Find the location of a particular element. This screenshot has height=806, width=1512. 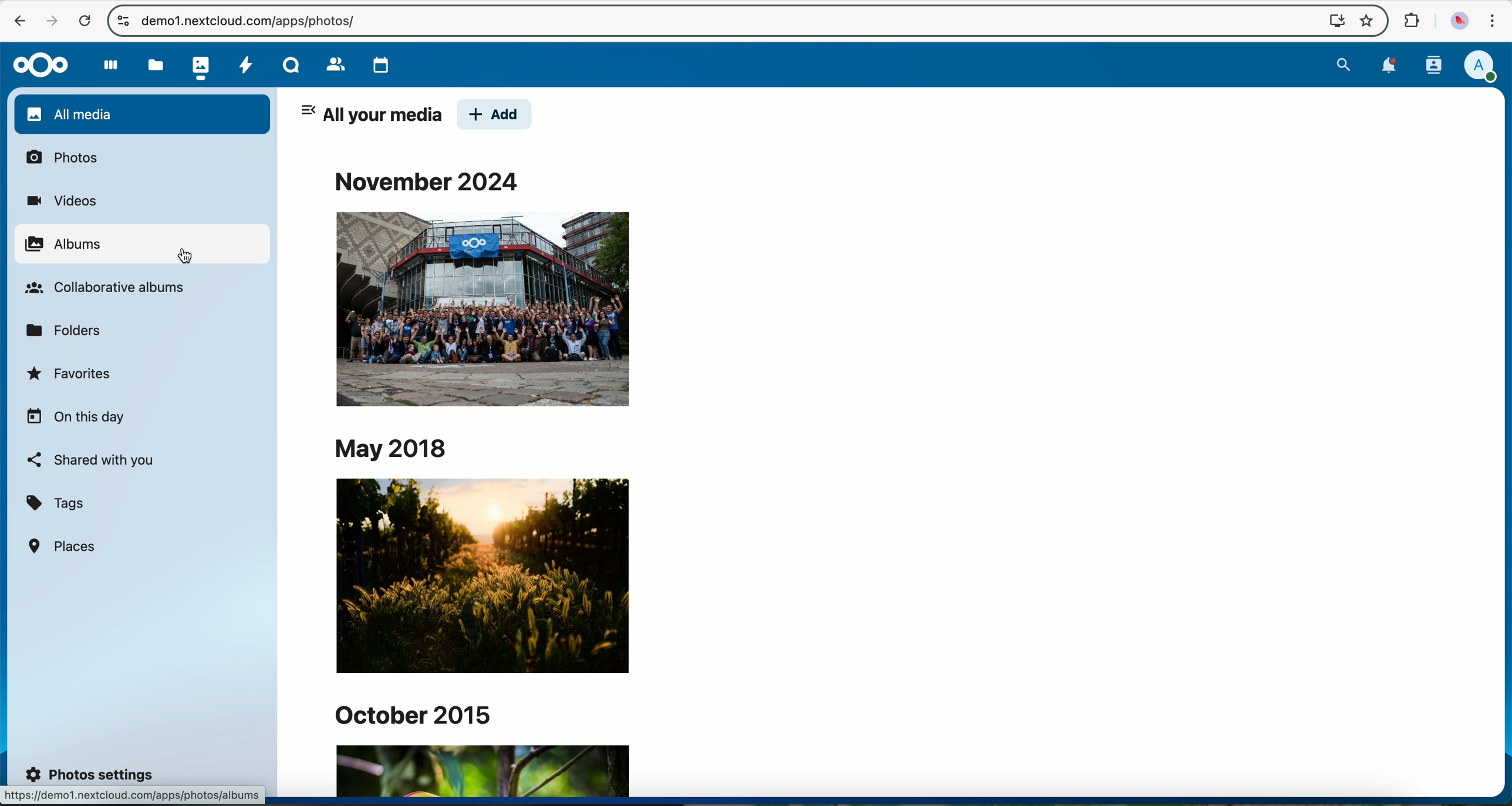

places is located at coordinates (64, 546).